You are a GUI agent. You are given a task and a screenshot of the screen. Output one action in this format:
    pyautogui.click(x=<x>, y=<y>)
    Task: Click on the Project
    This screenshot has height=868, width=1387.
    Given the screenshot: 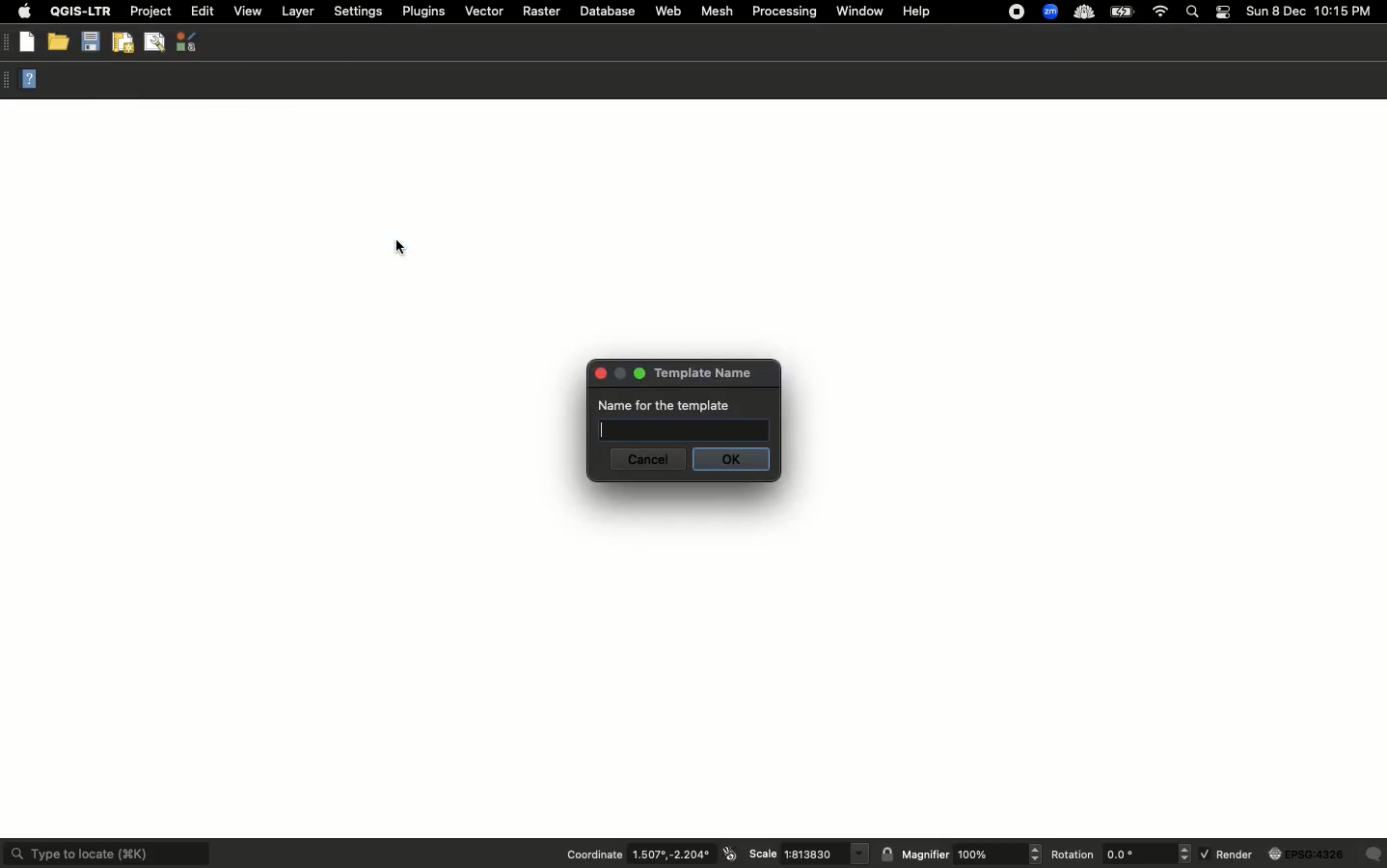 What is the action you would take?
    pyautogui.click(x=152, y=12)
    